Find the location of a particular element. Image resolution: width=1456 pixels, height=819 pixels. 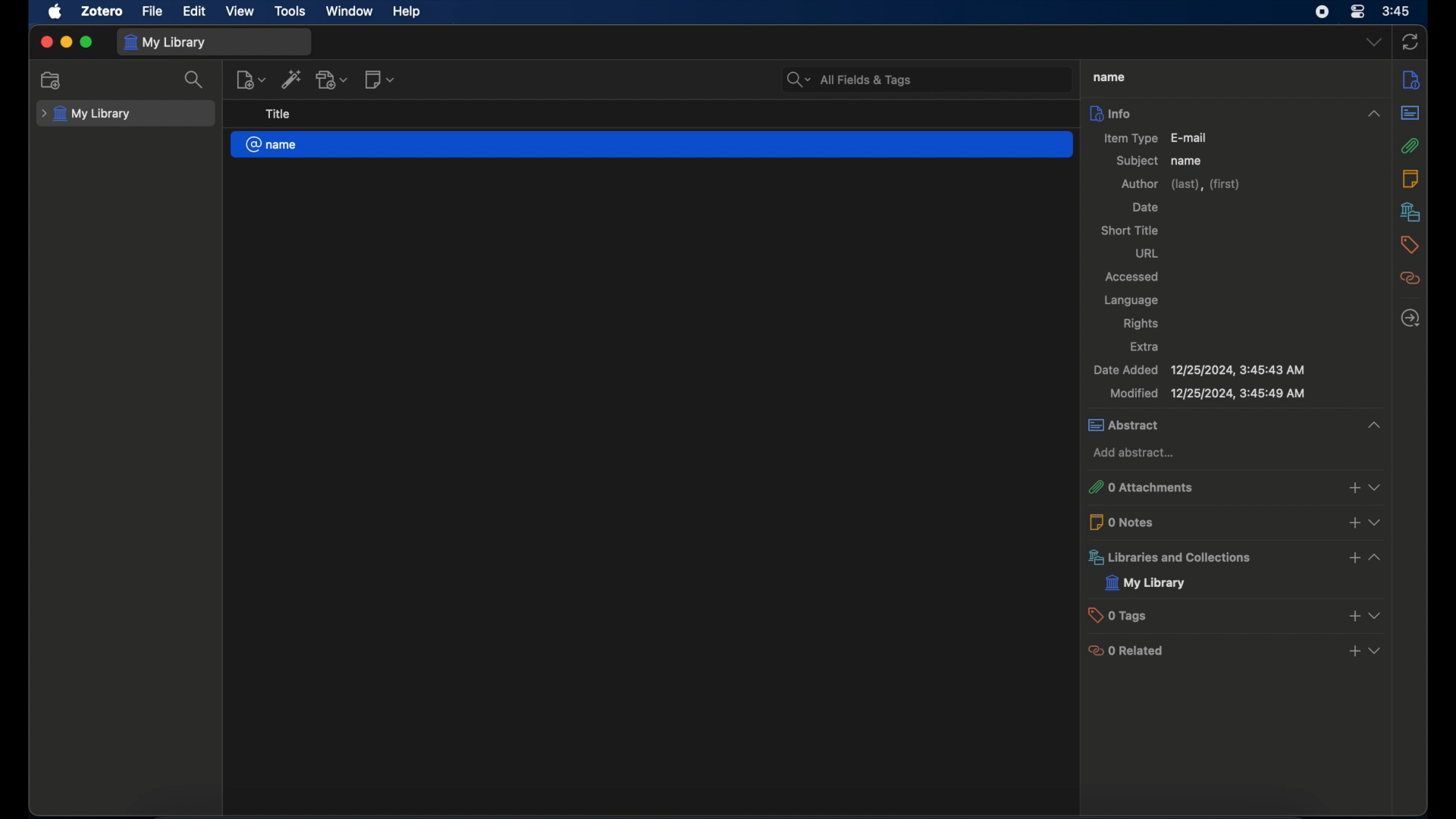

add item by identifier is located at coordinates (293, 81).